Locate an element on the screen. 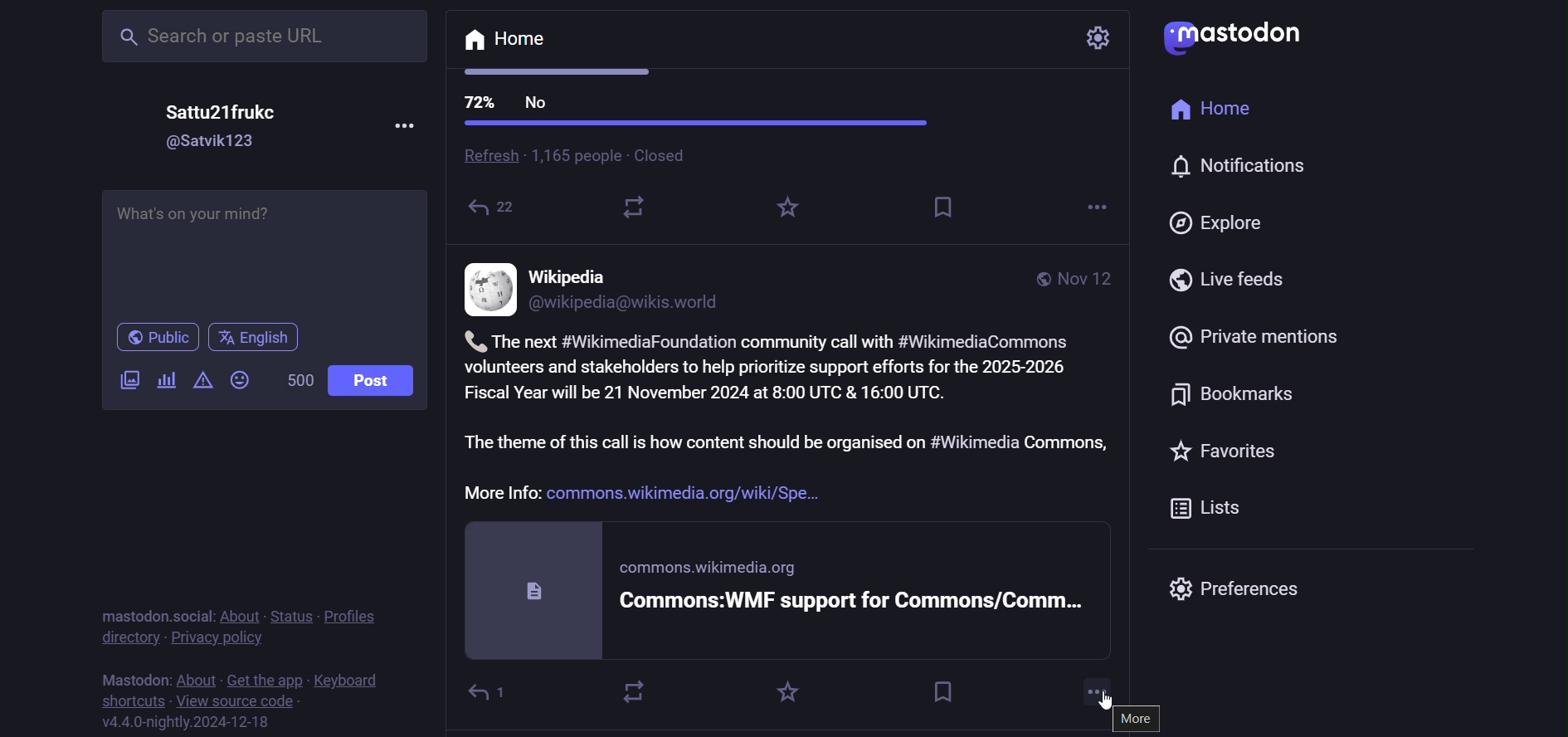 The width and height of the screenshot is (1568, 737). Shared is located at coordinates (496, 211).